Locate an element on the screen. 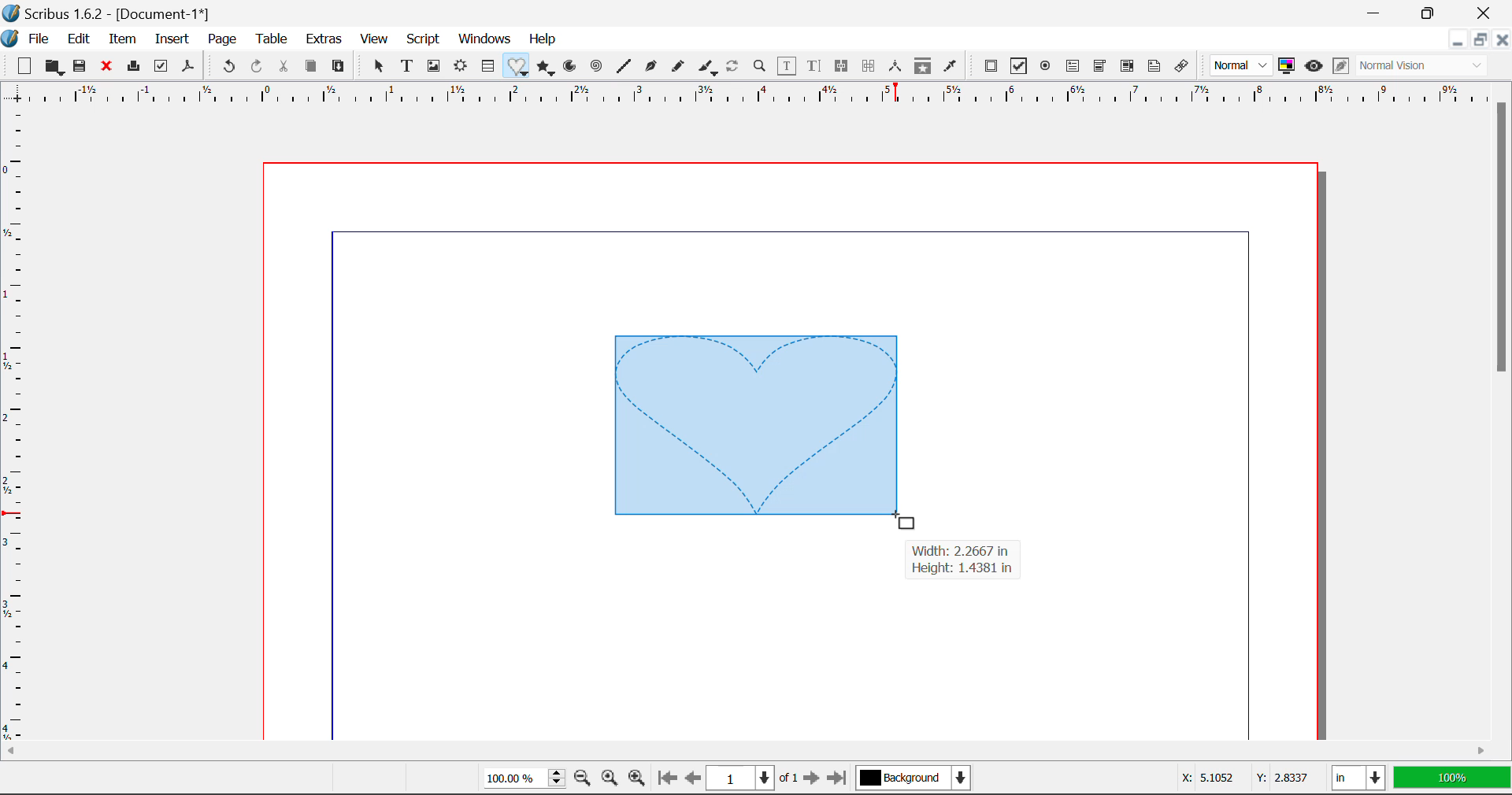  Minimize is located at coordinates (1482, 42).